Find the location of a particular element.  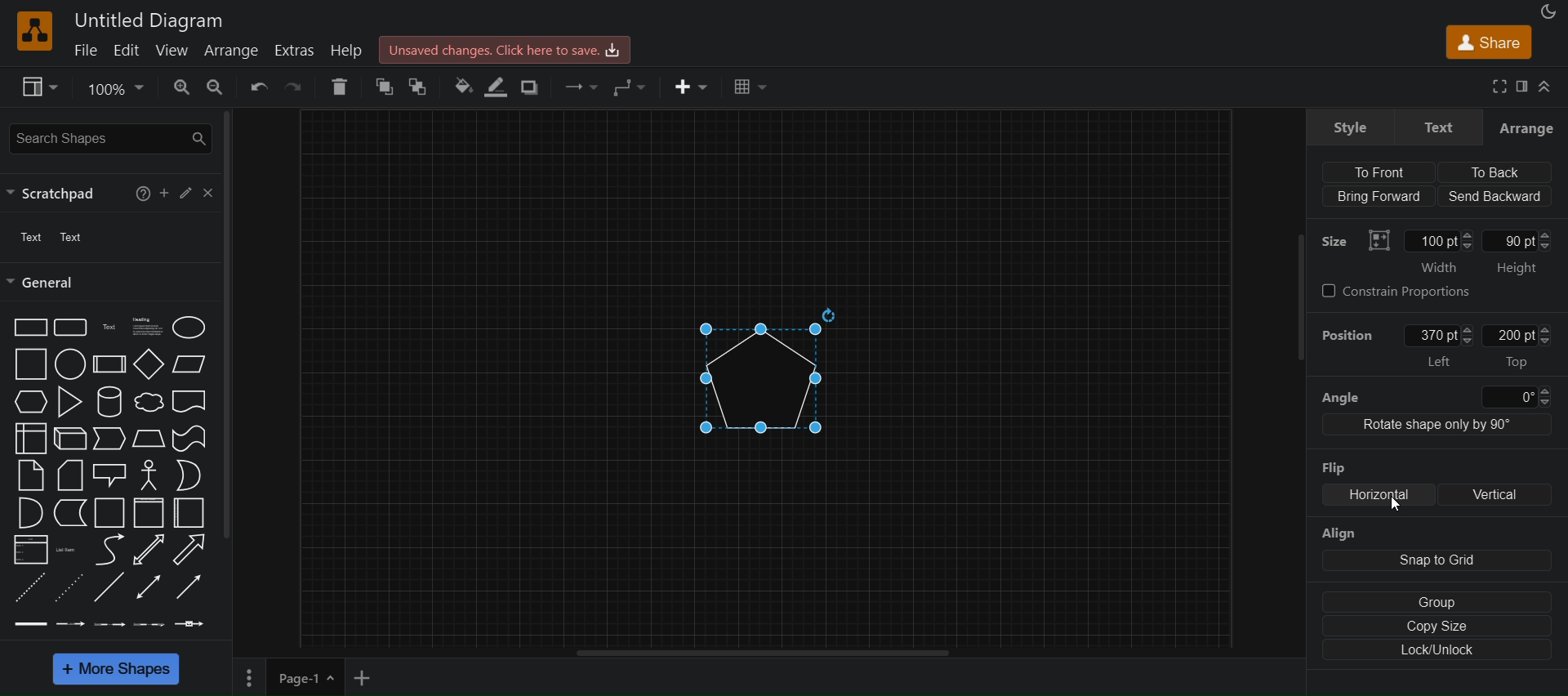

Dashed line is located at coordinates (29, 587).